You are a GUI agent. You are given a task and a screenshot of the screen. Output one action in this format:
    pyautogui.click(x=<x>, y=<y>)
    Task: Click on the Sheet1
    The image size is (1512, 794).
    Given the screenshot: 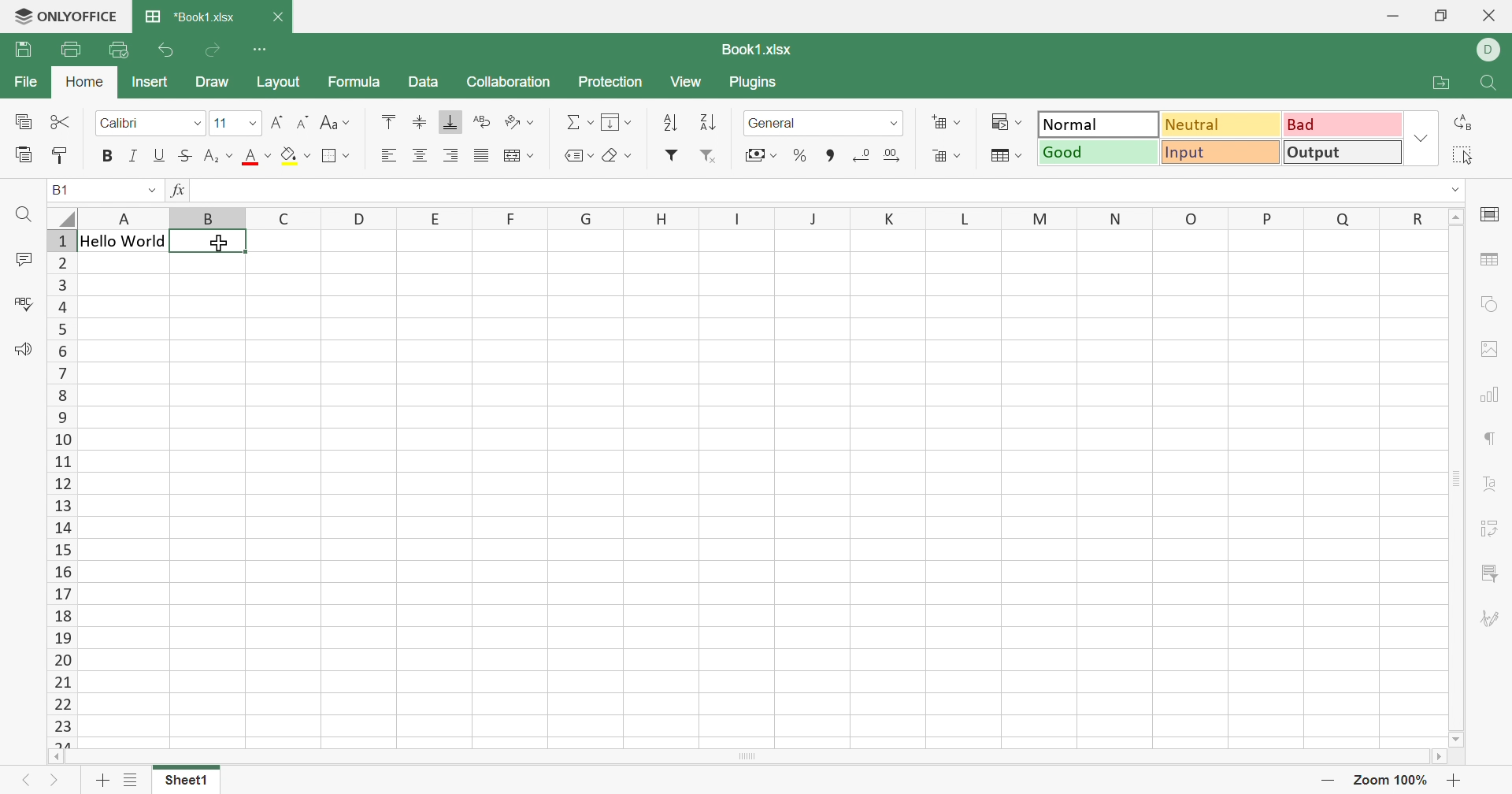 What is the action you would take?
    pyautogui.click(x=187, y=781)
    